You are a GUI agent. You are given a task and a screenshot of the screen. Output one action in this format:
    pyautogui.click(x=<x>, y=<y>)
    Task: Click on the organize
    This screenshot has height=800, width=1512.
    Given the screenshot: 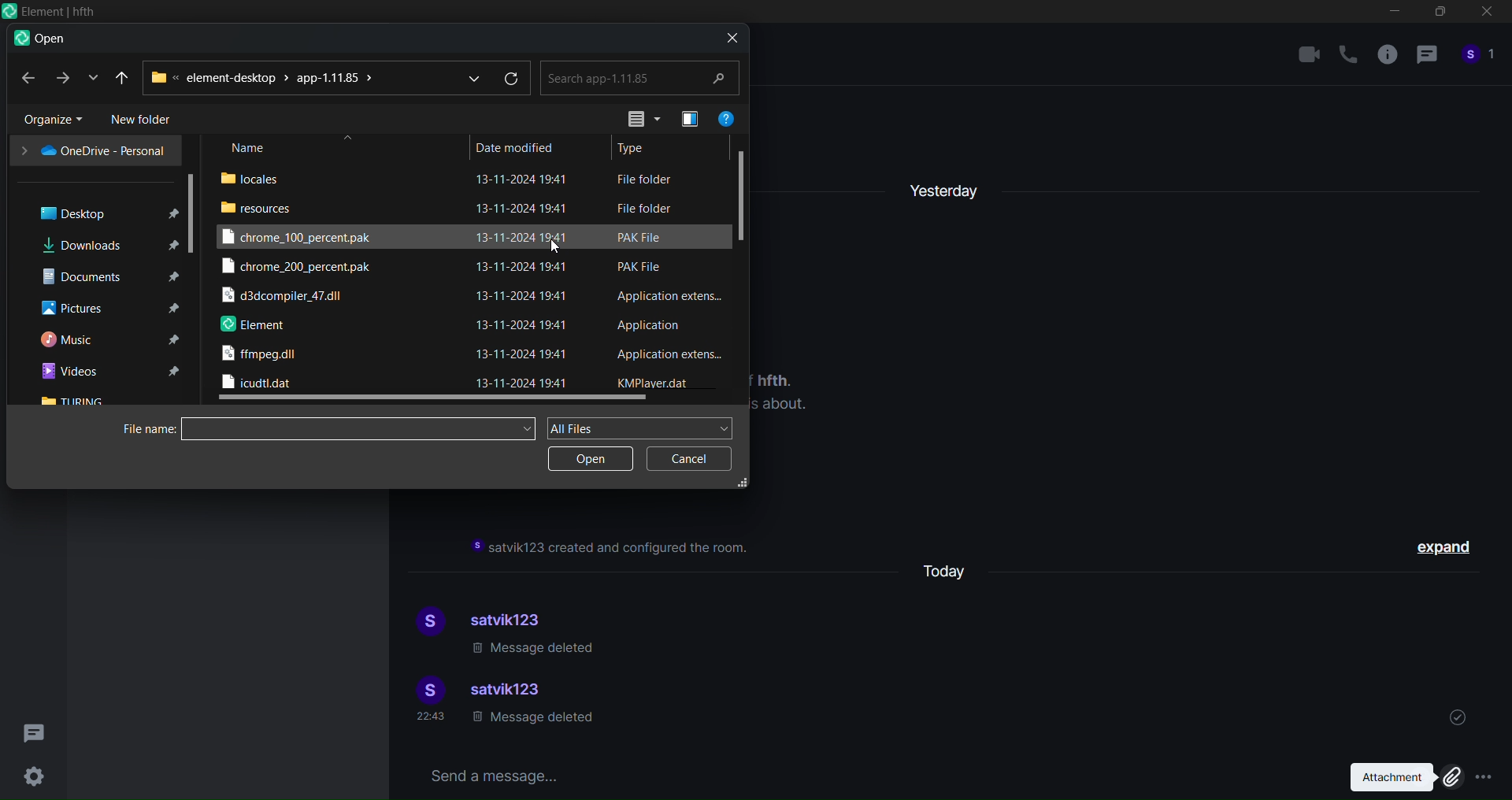 What is the action you would take?
    pyautogui.click(x=46, y=119)
    